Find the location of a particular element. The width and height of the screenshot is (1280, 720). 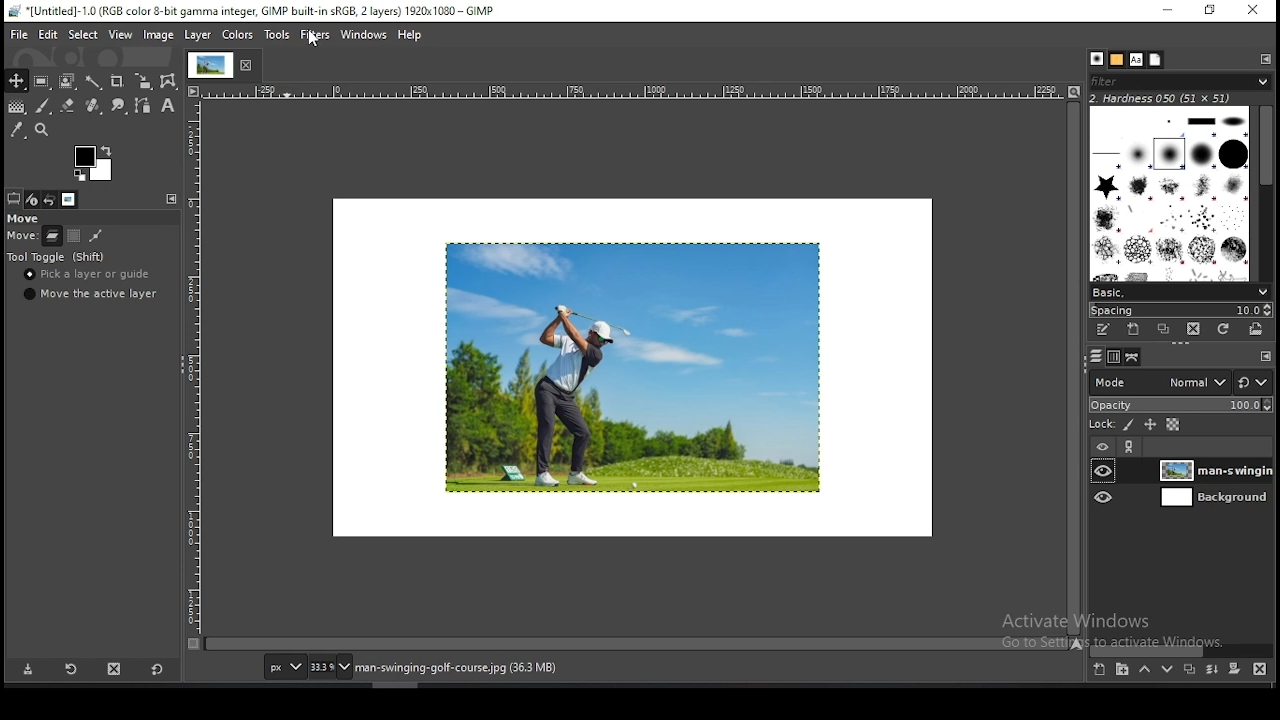

zoom tool is located at coordinates (41, 129).